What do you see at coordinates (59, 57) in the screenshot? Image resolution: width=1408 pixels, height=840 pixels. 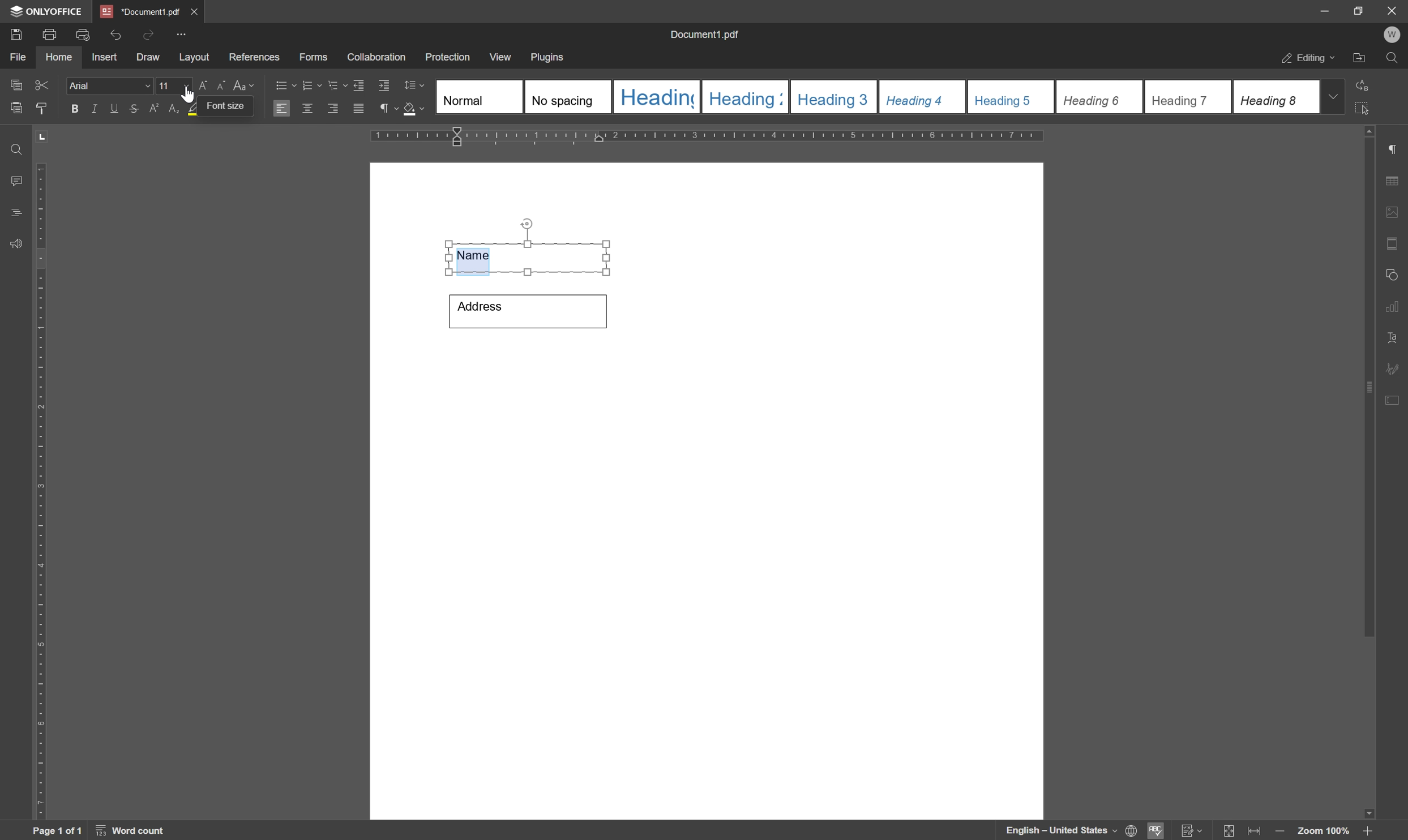 I see `home` at bounding box center [59, 57].